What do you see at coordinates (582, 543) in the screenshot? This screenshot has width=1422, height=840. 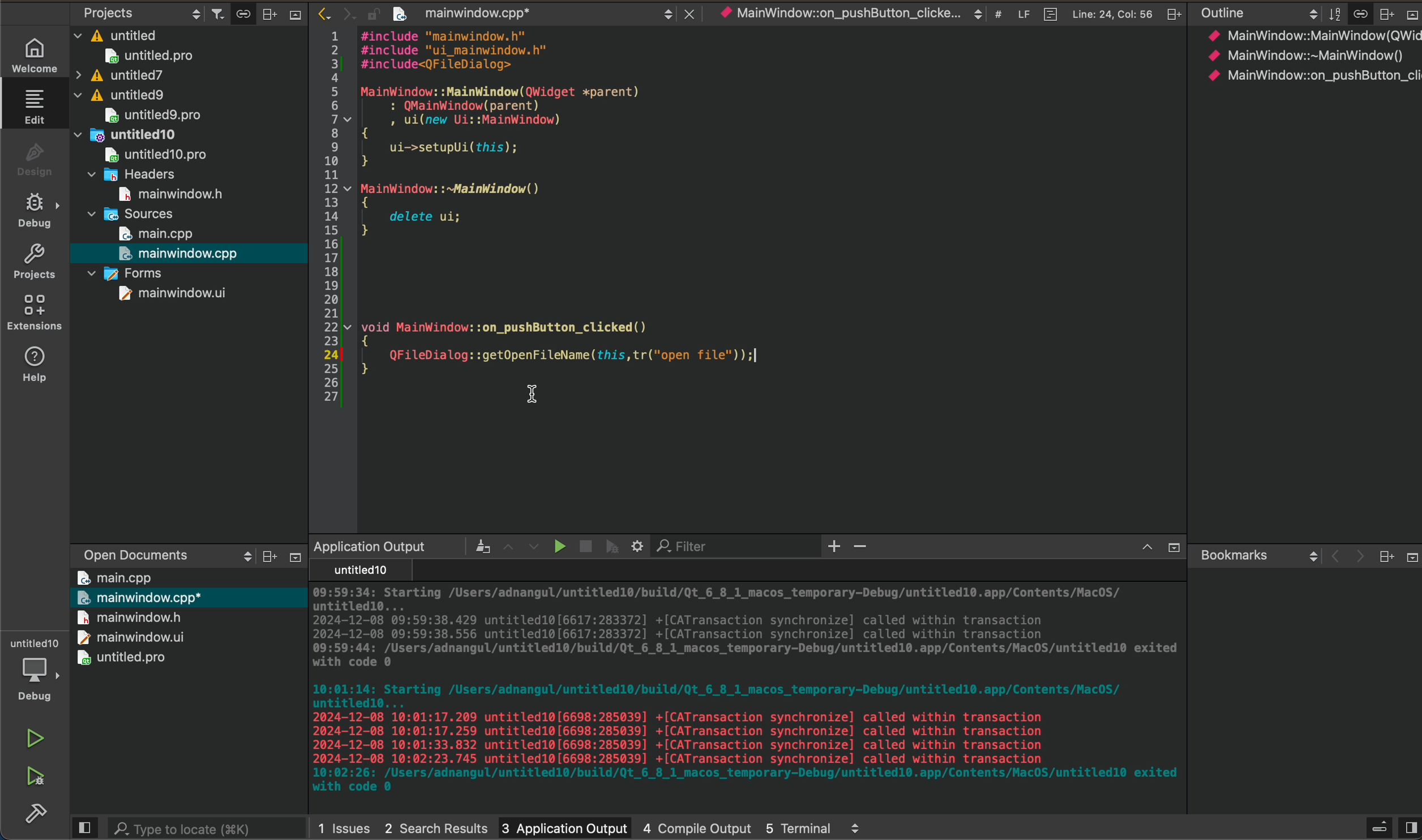 I see `stop` at bounding box center [582, 543].